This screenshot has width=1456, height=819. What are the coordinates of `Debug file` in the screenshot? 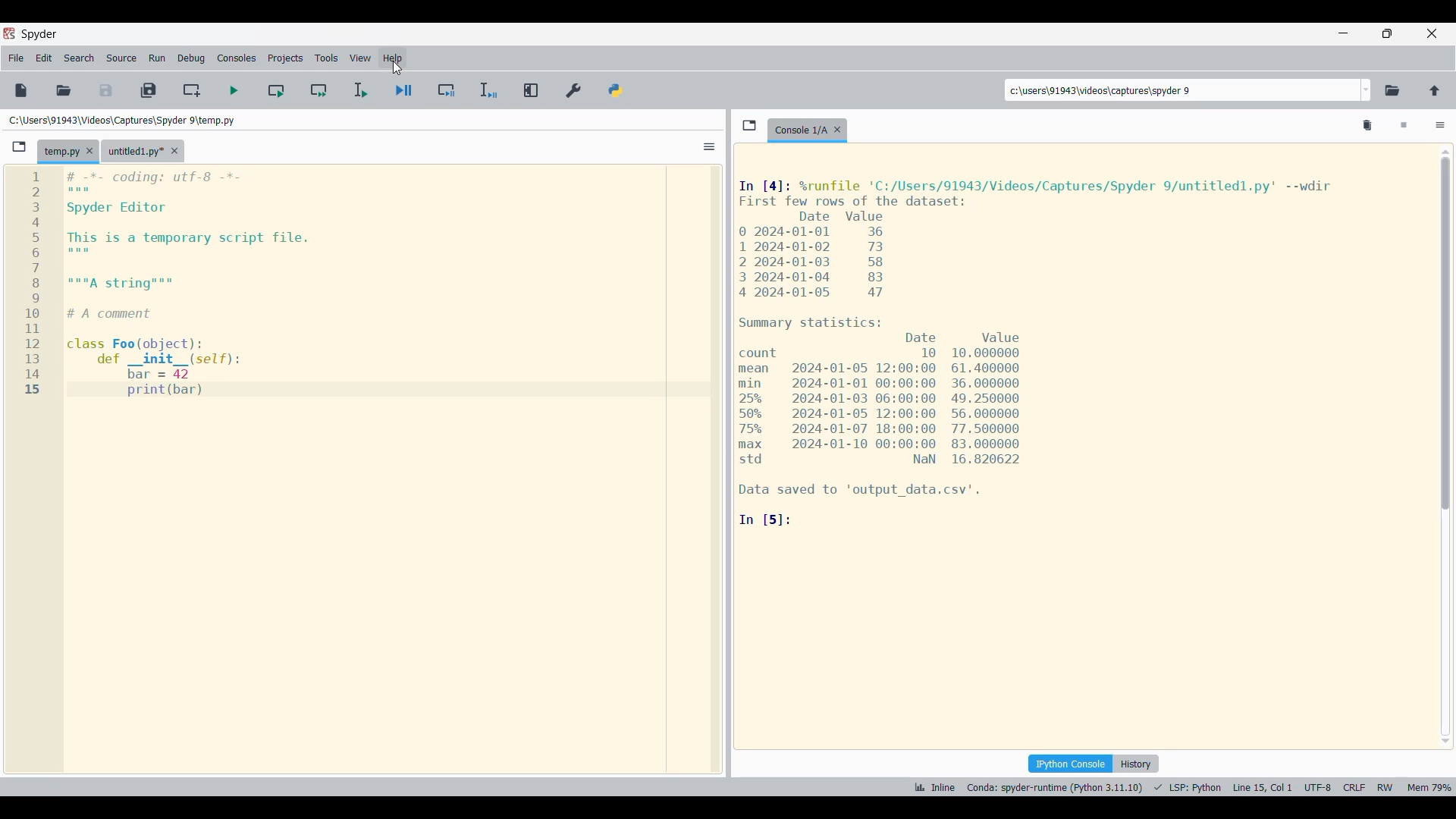 It's located at (359, 90).